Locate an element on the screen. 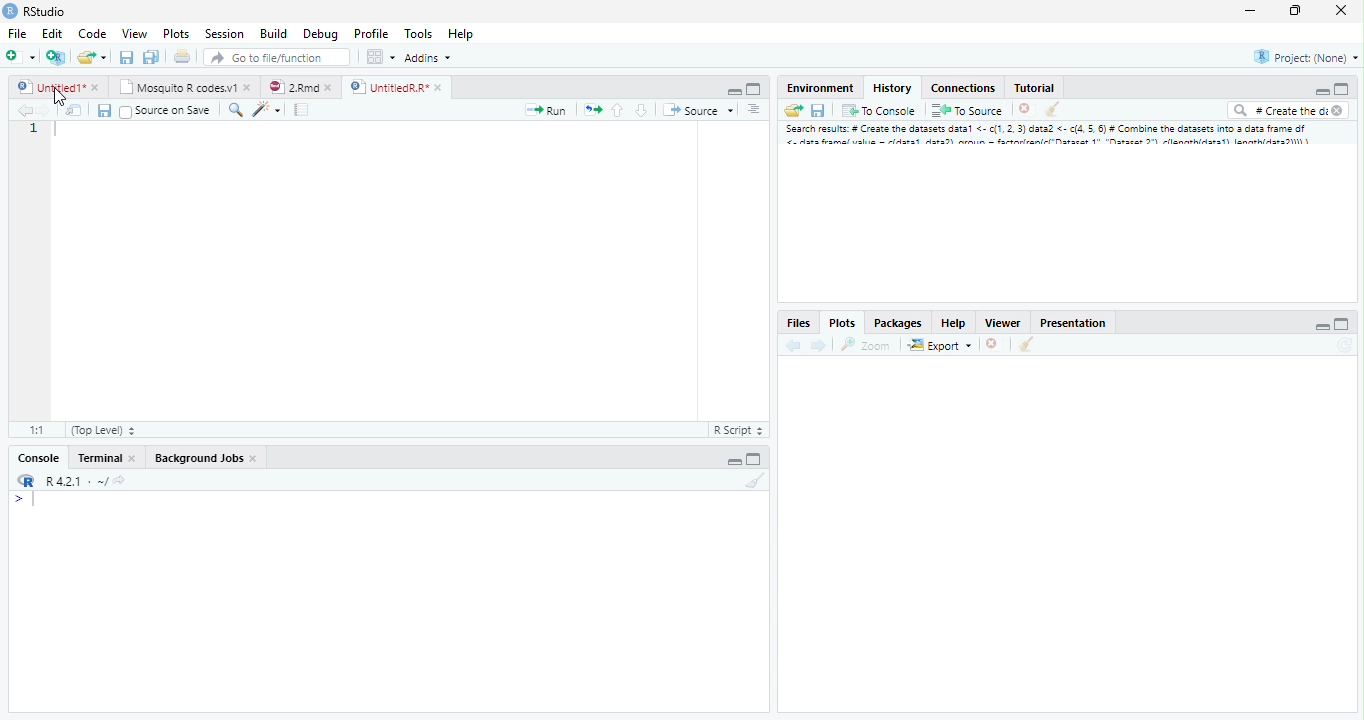  Session is located at coordinates (227, 34).